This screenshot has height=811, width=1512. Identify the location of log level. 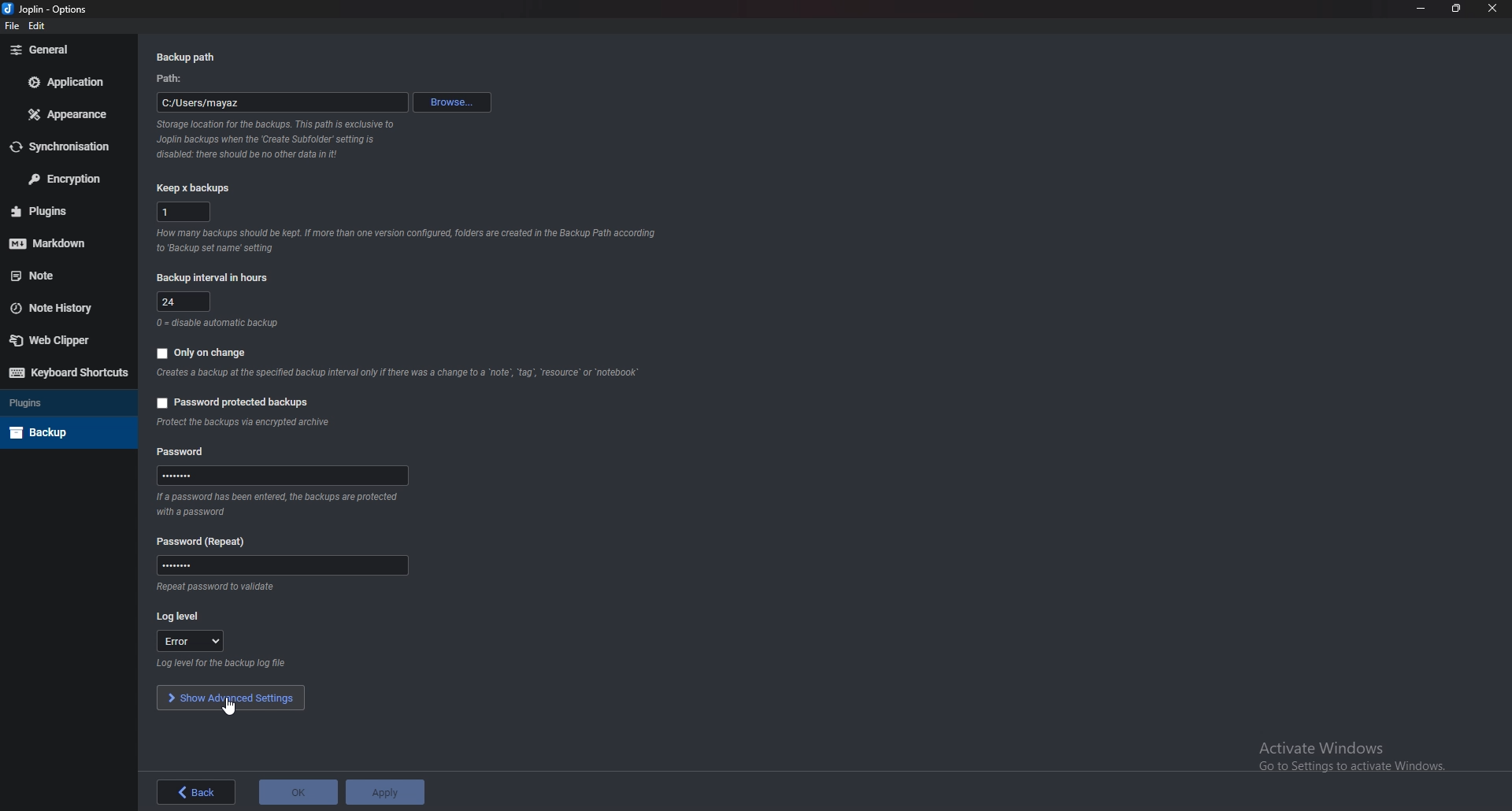
(183, 616).